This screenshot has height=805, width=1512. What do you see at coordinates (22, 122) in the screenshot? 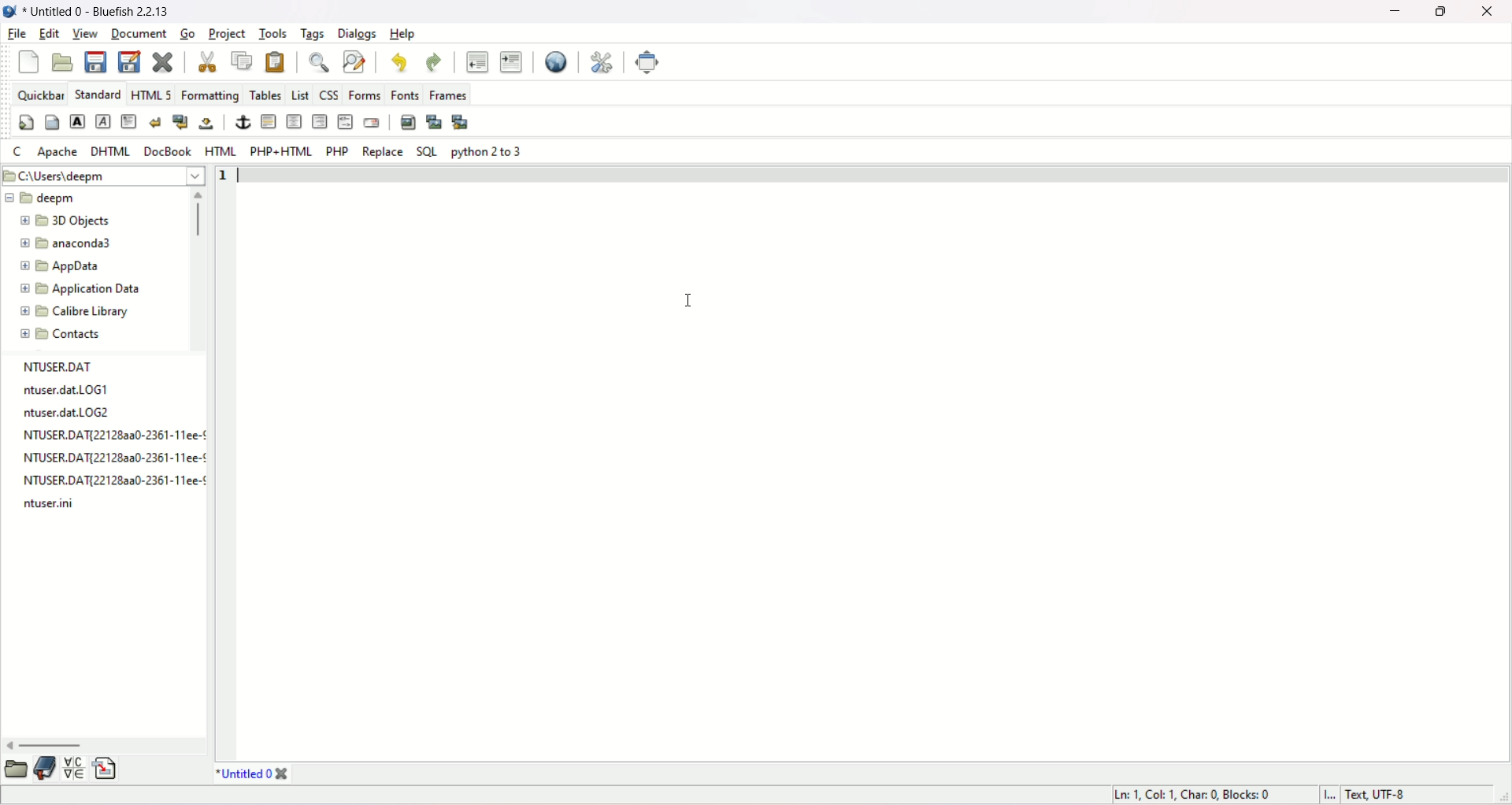
I see `quick settings` at bounding box center [22, 122].